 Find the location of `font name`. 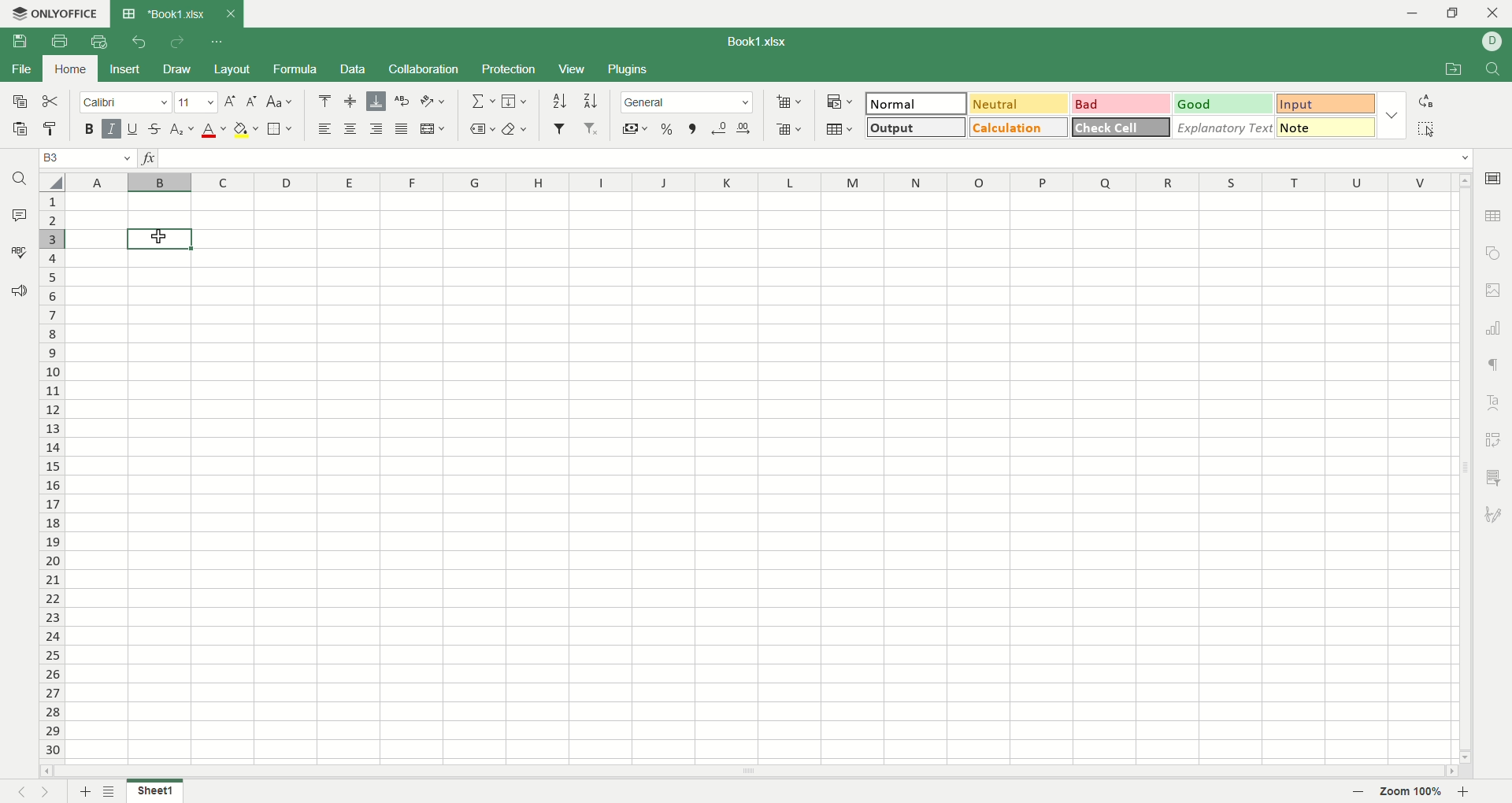

font name is located at coordinates (127, 102).